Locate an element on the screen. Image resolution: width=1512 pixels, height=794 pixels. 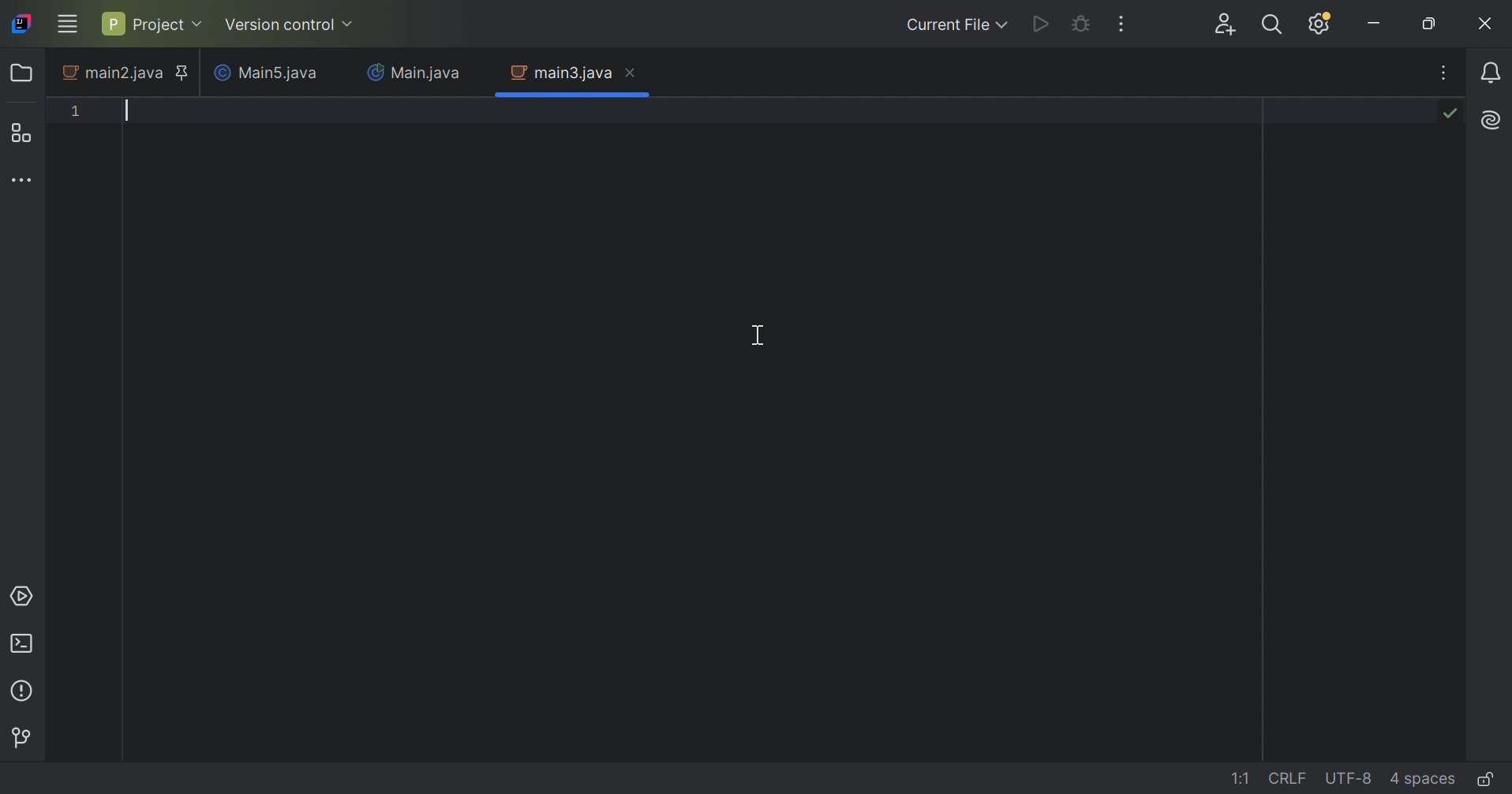
More tool windows is located at coordinates (24, 179).